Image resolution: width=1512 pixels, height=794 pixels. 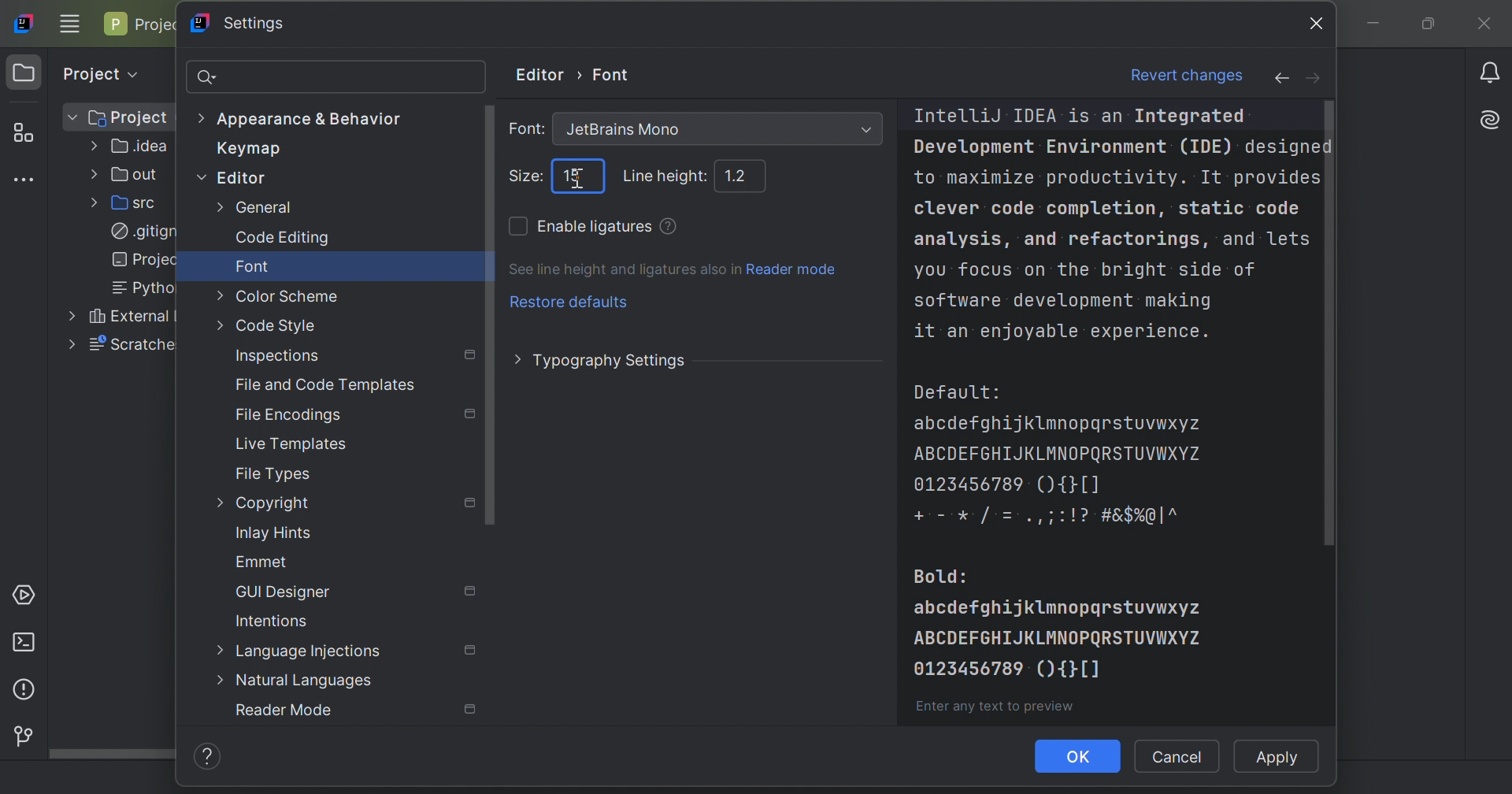 What do you see at coordinates (596, 227) in the screenshot?
I see `Enable ligatures` at bounding box center [596, 227].